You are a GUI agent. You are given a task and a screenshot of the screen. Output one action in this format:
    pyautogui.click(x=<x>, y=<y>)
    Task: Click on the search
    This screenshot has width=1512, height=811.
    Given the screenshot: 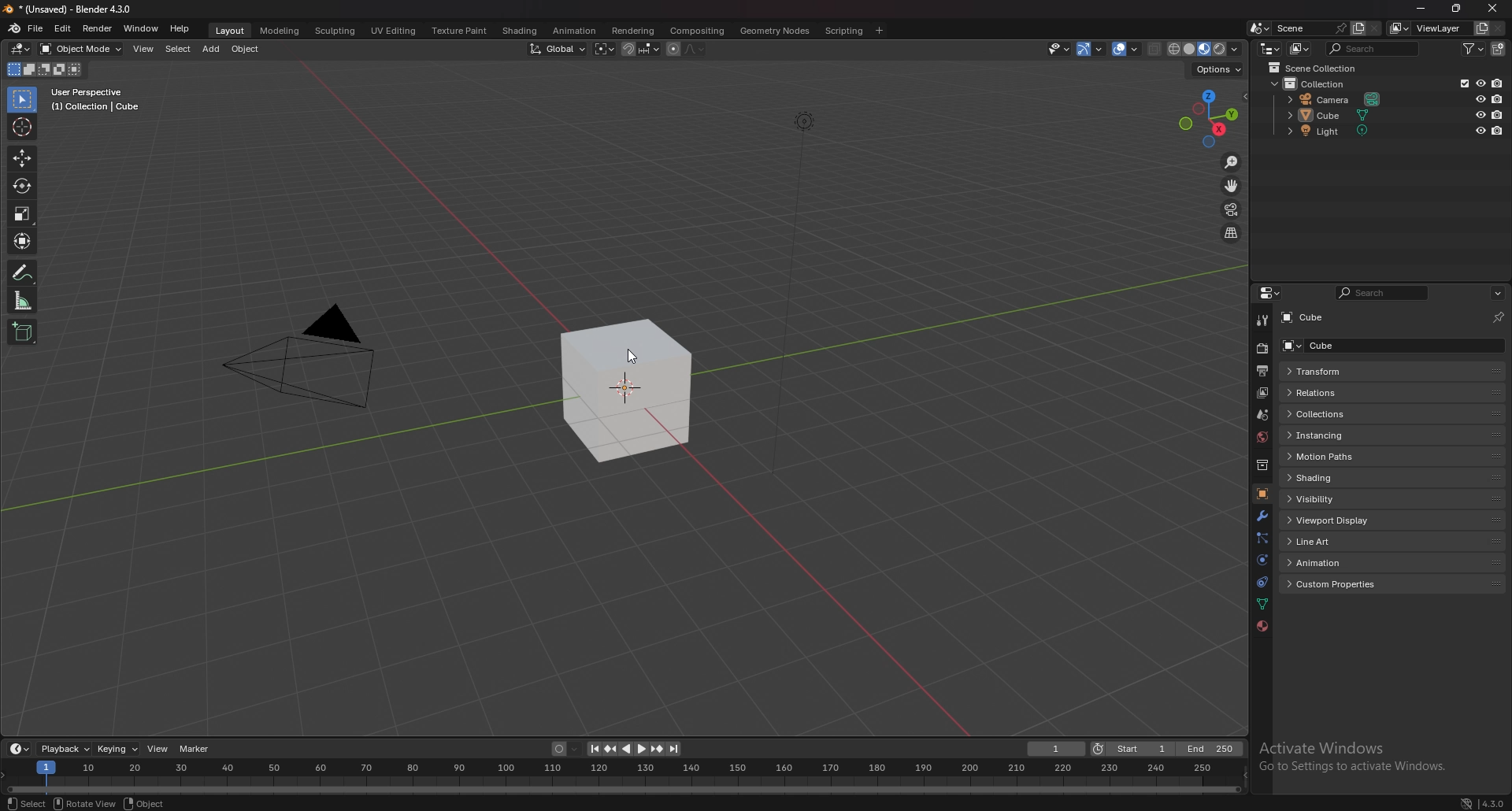 What is the action you would take?
    pyautogui.click(x=1384, y=293)
    